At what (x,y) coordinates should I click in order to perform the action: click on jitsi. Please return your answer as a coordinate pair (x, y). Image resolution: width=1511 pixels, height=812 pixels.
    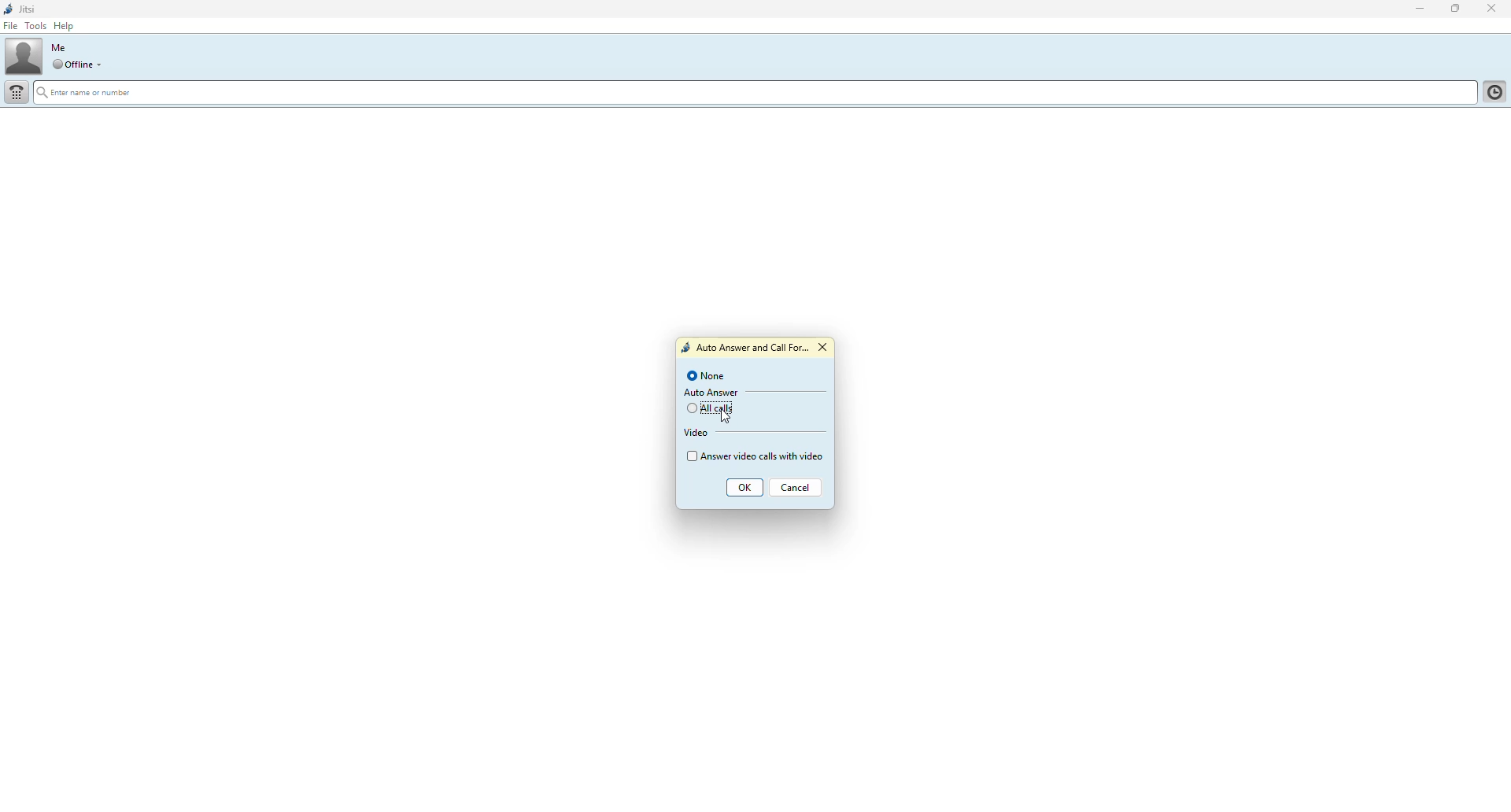
    Looking at the image, I should click on (22, 9).